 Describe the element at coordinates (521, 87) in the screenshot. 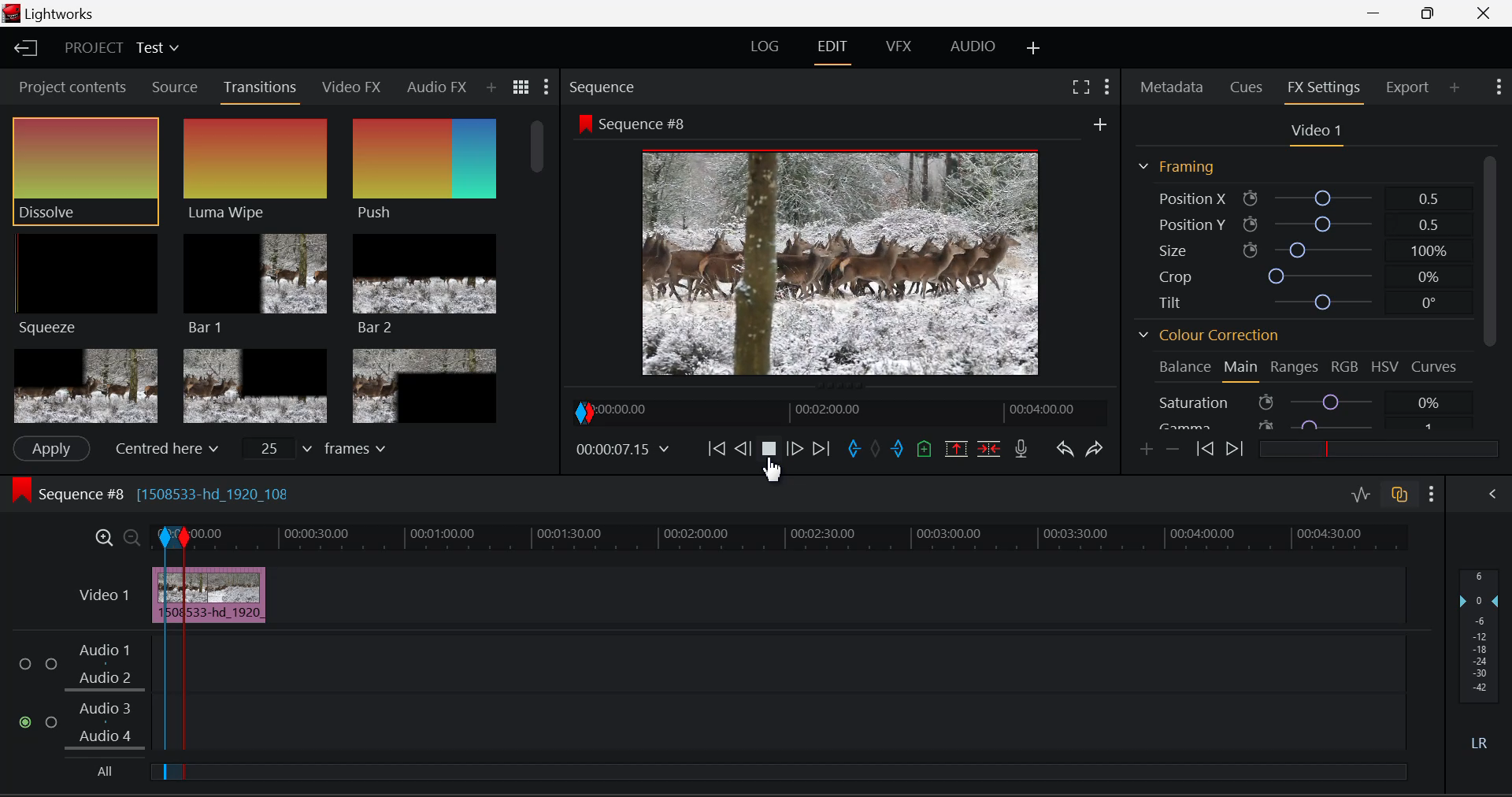

I see `Toggle between list and title view` at that location.